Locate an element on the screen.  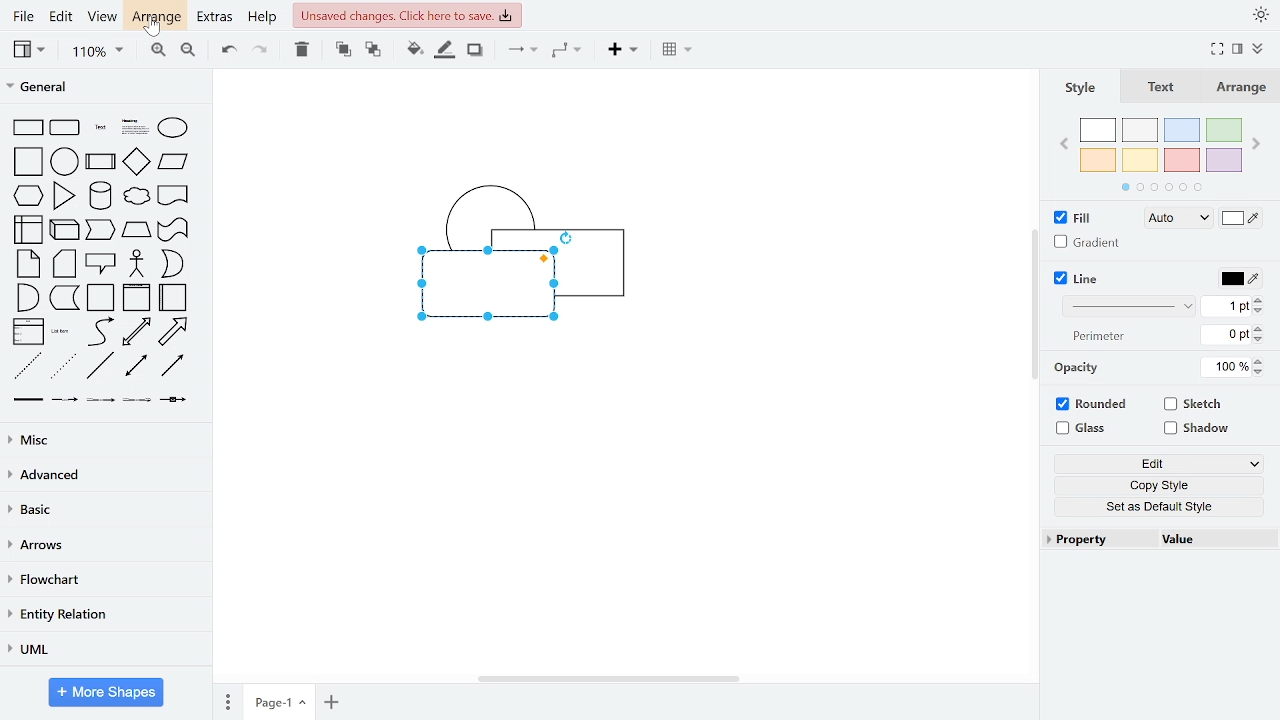
100% is located at coordinates (1226, 366).